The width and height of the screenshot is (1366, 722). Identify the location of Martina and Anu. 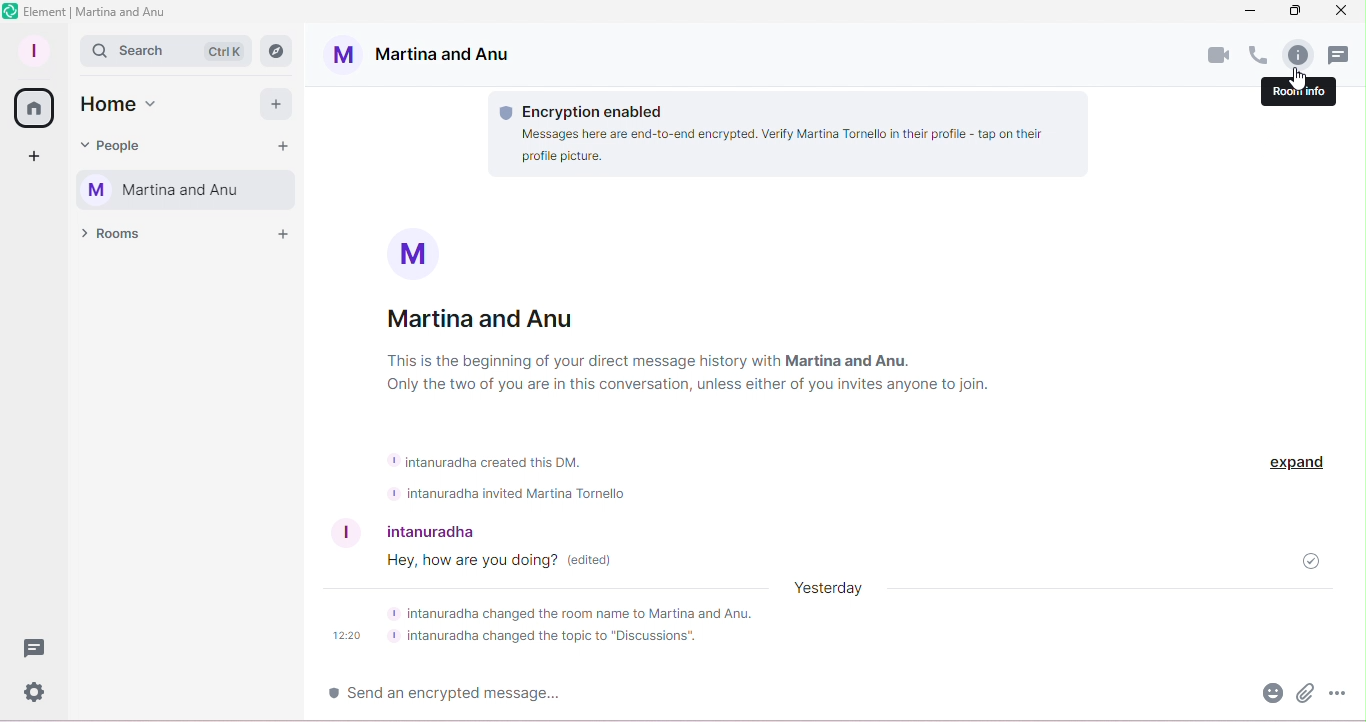
(425, 57).